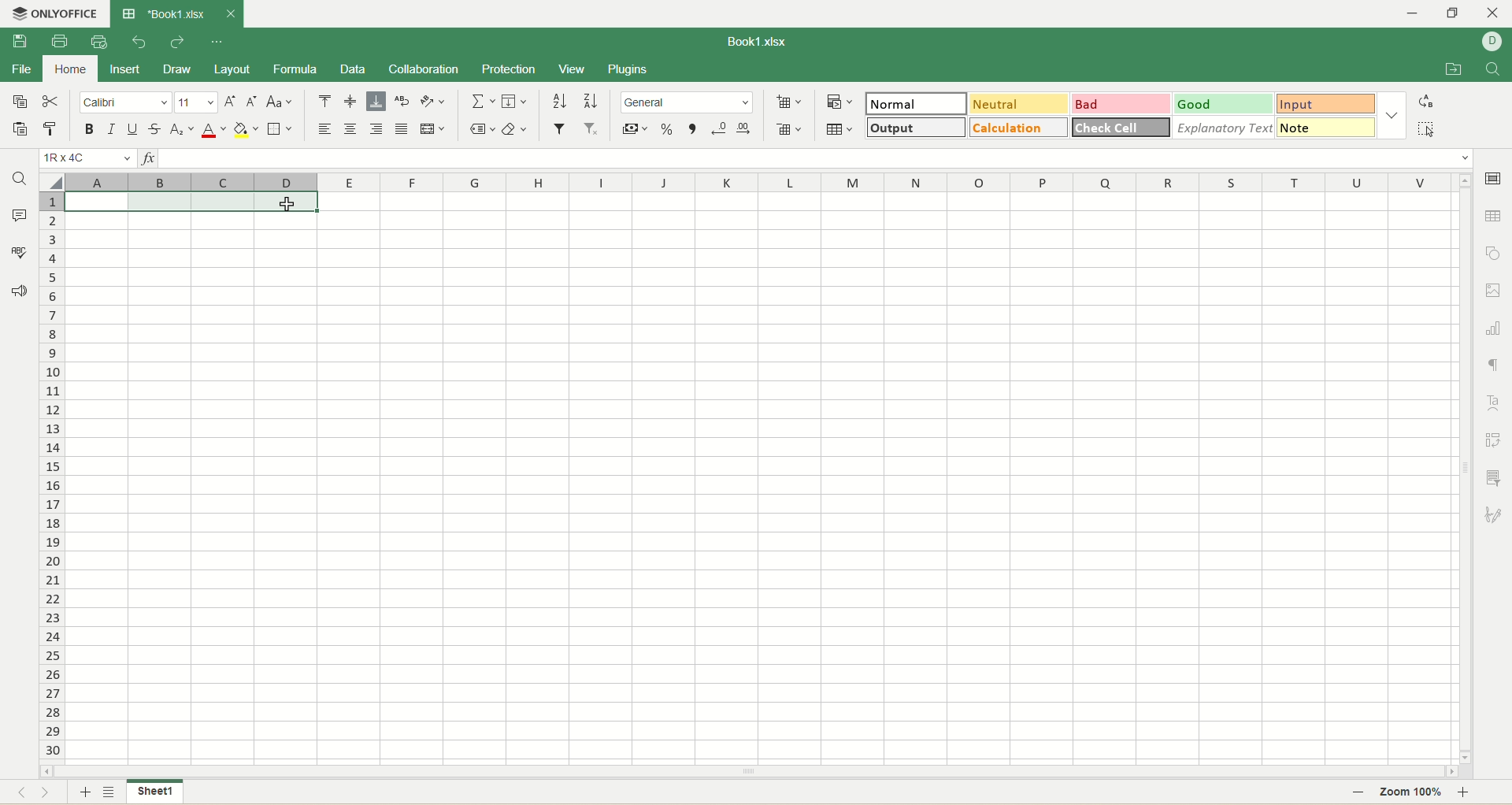 This screenshot has width=1512, height=805. Describe the element at coordinates (1495, 440) in the screenshot. I see `pivot settings` at that location.